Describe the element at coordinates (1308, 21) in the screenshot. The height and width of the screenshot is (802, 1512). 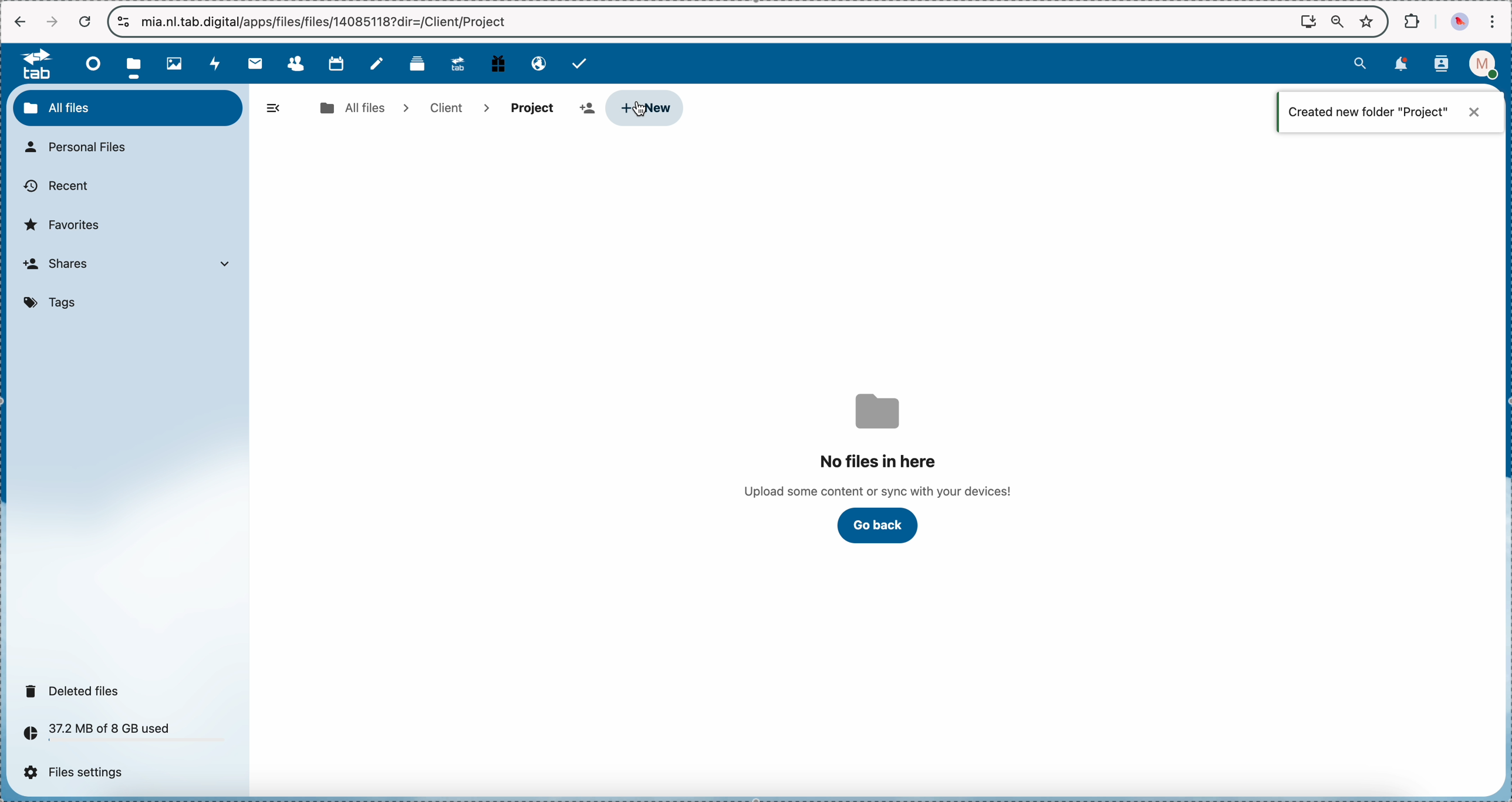
I see `screen` at that location.